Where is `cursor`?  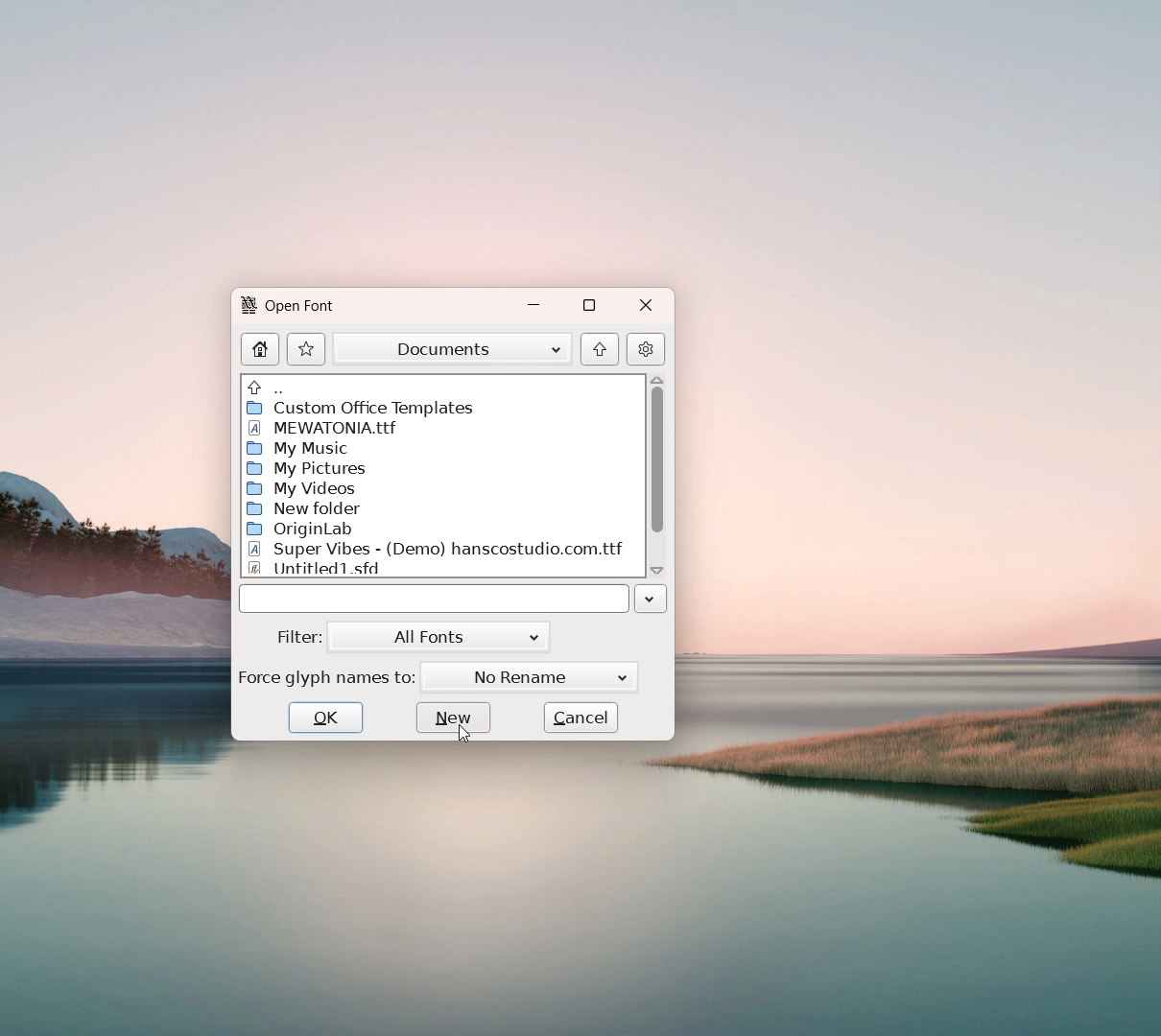
cursor is located at coordinates (463, 734).